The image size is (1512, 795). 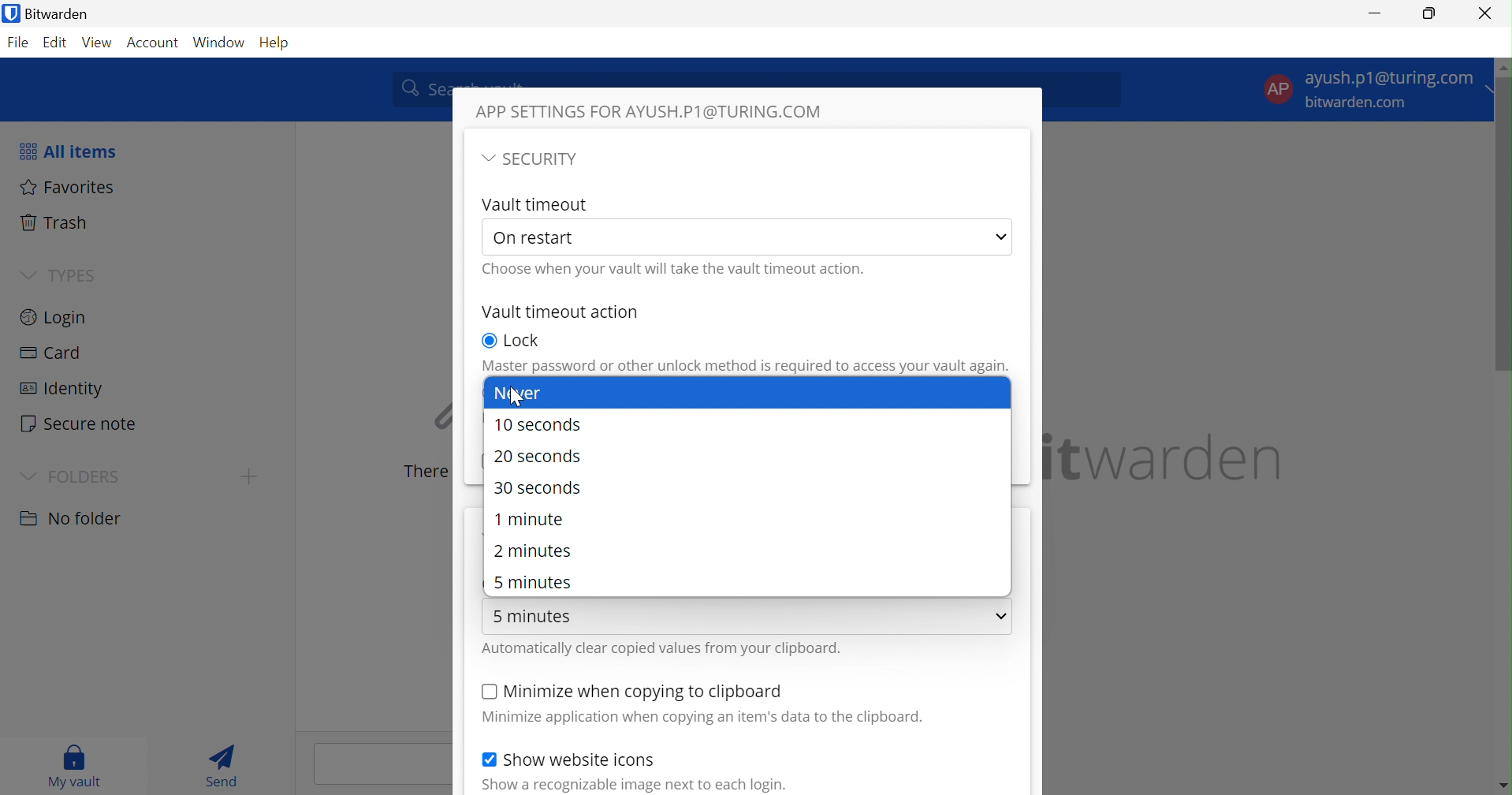 I want to click on My vault, so click(x=70, y=764).